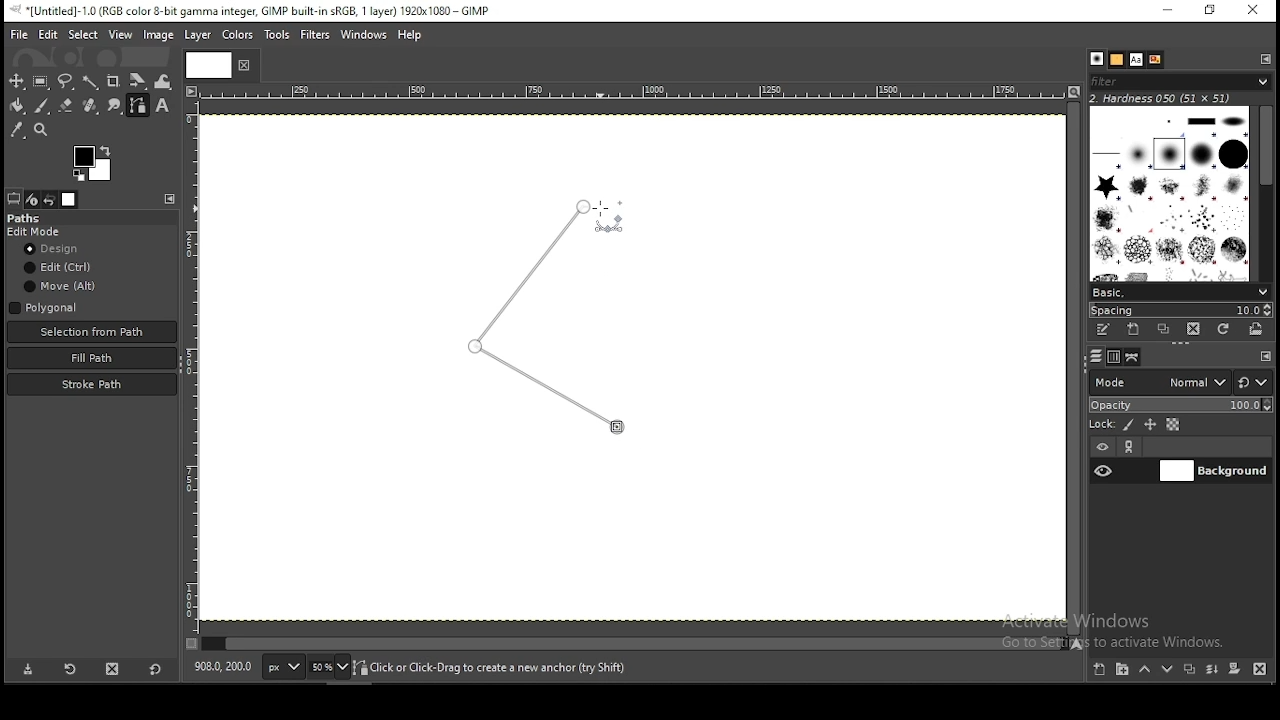 The height and width of the screenshot is (720, 1280). I want to click on paths, so click(1133, 357).